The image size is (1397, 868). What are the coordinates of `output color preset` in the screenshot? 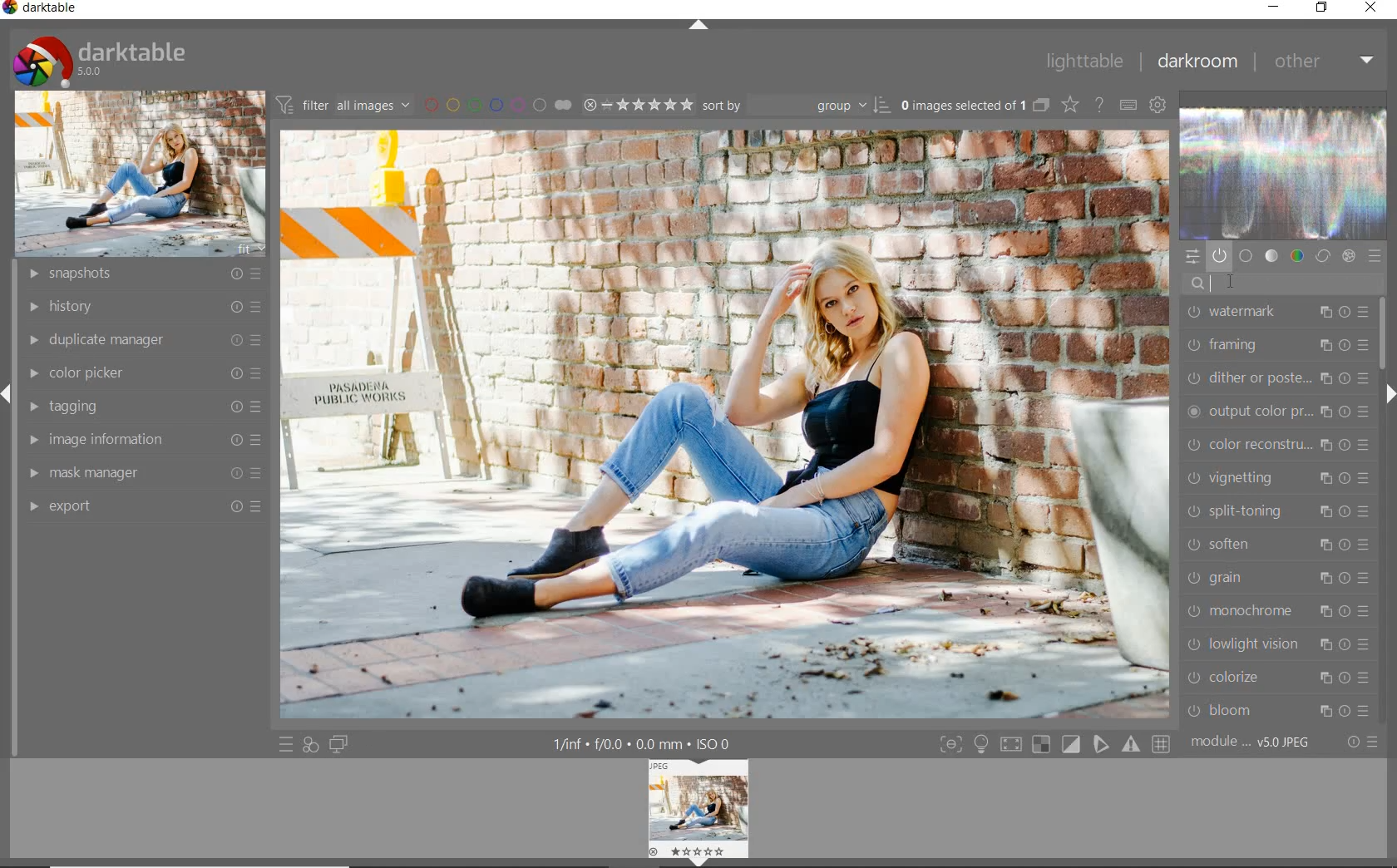 It's located at (1274, 413).